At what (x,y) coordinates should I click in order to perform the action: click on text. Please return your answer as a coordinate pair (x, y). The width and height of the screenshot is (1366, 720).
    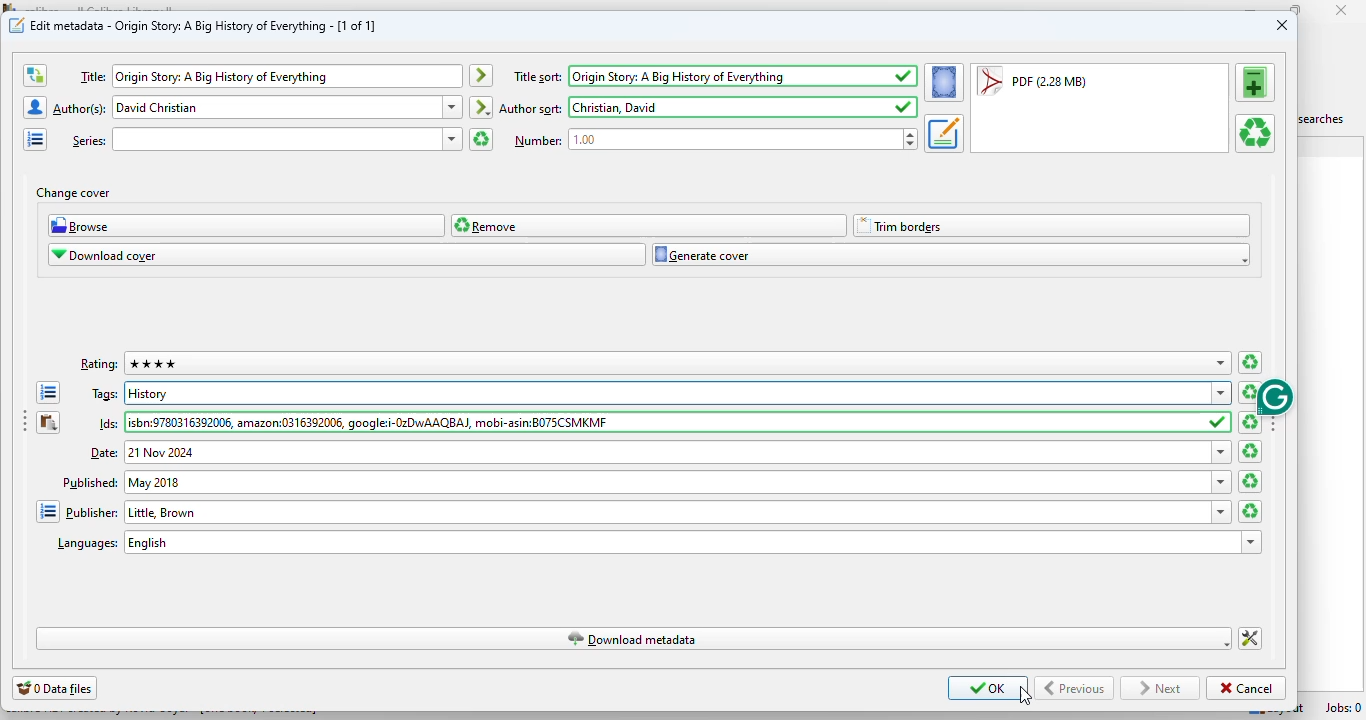
    Looking at the image, I should click on (89, 481).